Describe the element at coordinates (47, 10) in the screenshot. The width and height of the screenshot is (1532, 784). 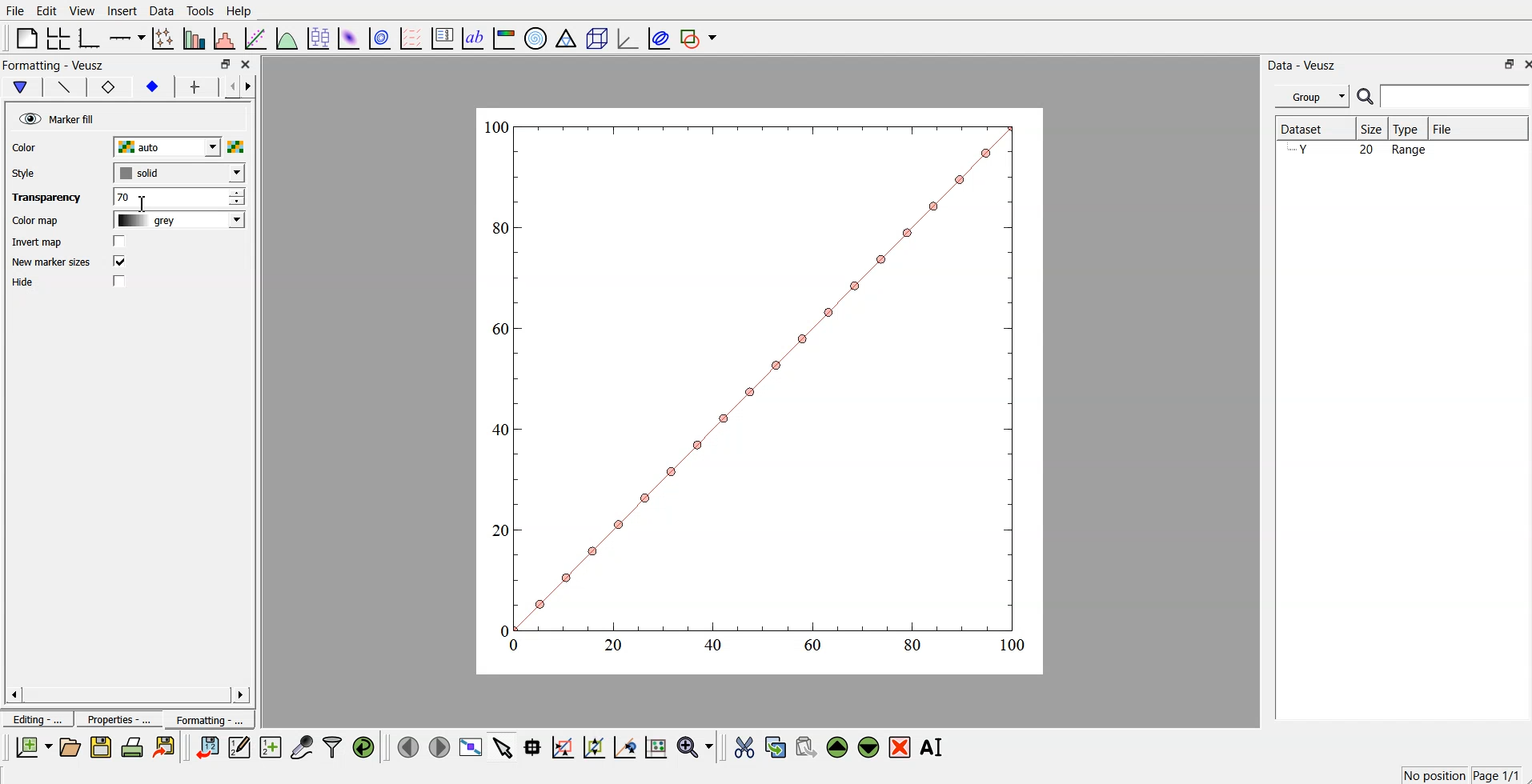
I see `Edit` at that location.